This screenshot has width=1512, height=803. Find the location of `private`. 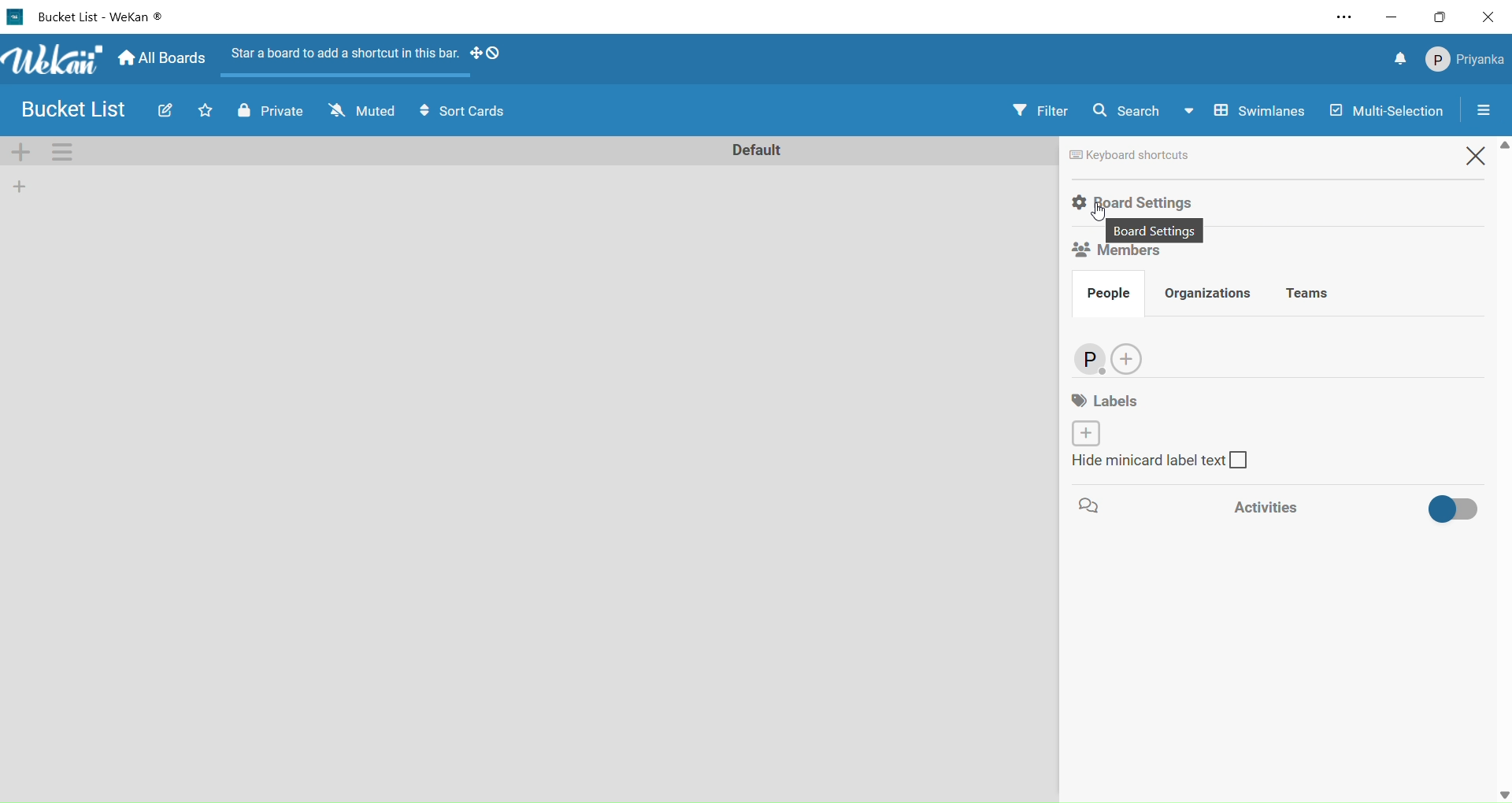

private is located at coordinates (273, 111).